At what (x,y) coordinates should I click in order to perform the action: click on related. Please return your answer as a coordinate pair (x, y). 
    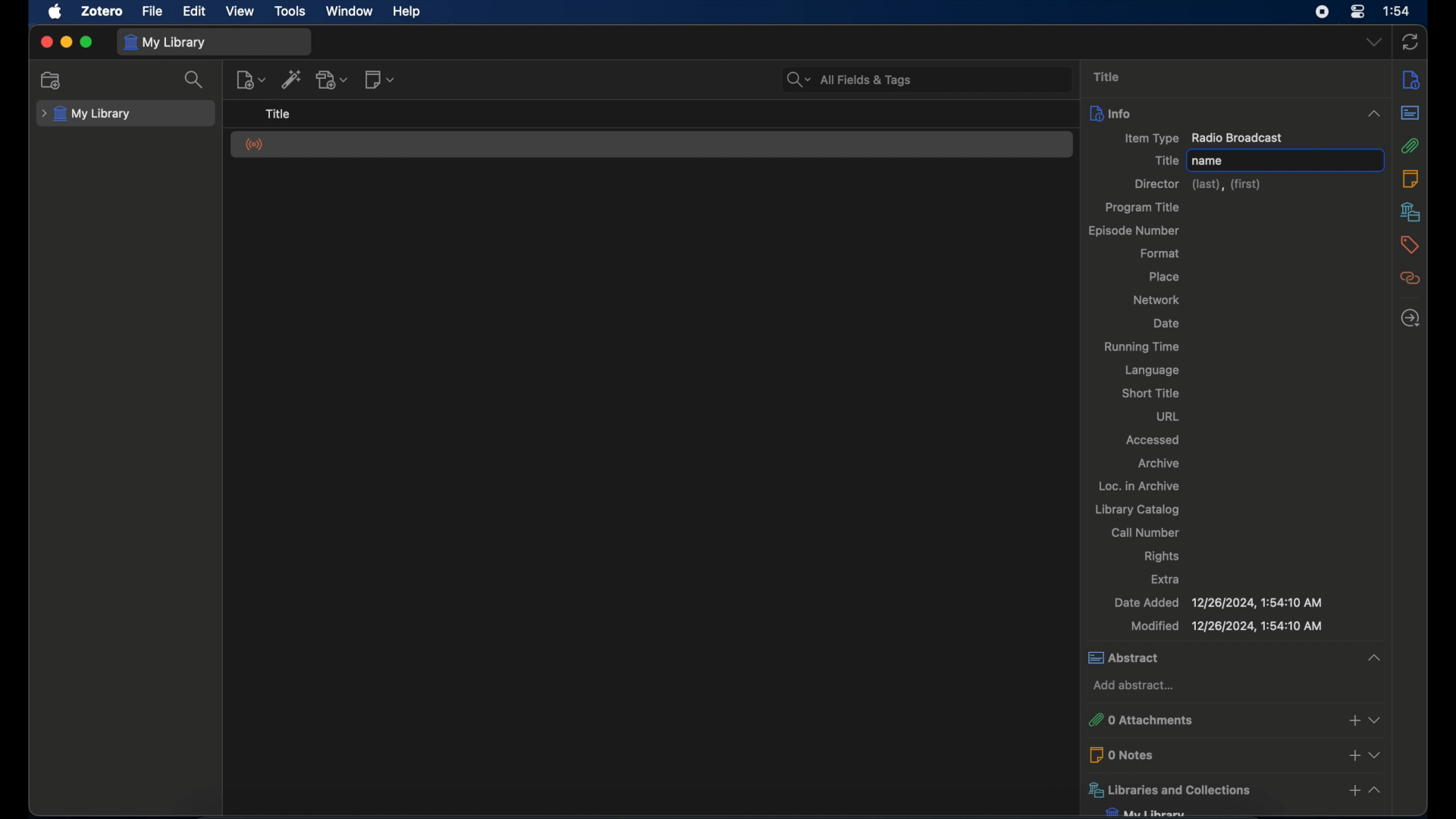
    Looking at the image, I should click on (1410, 278).